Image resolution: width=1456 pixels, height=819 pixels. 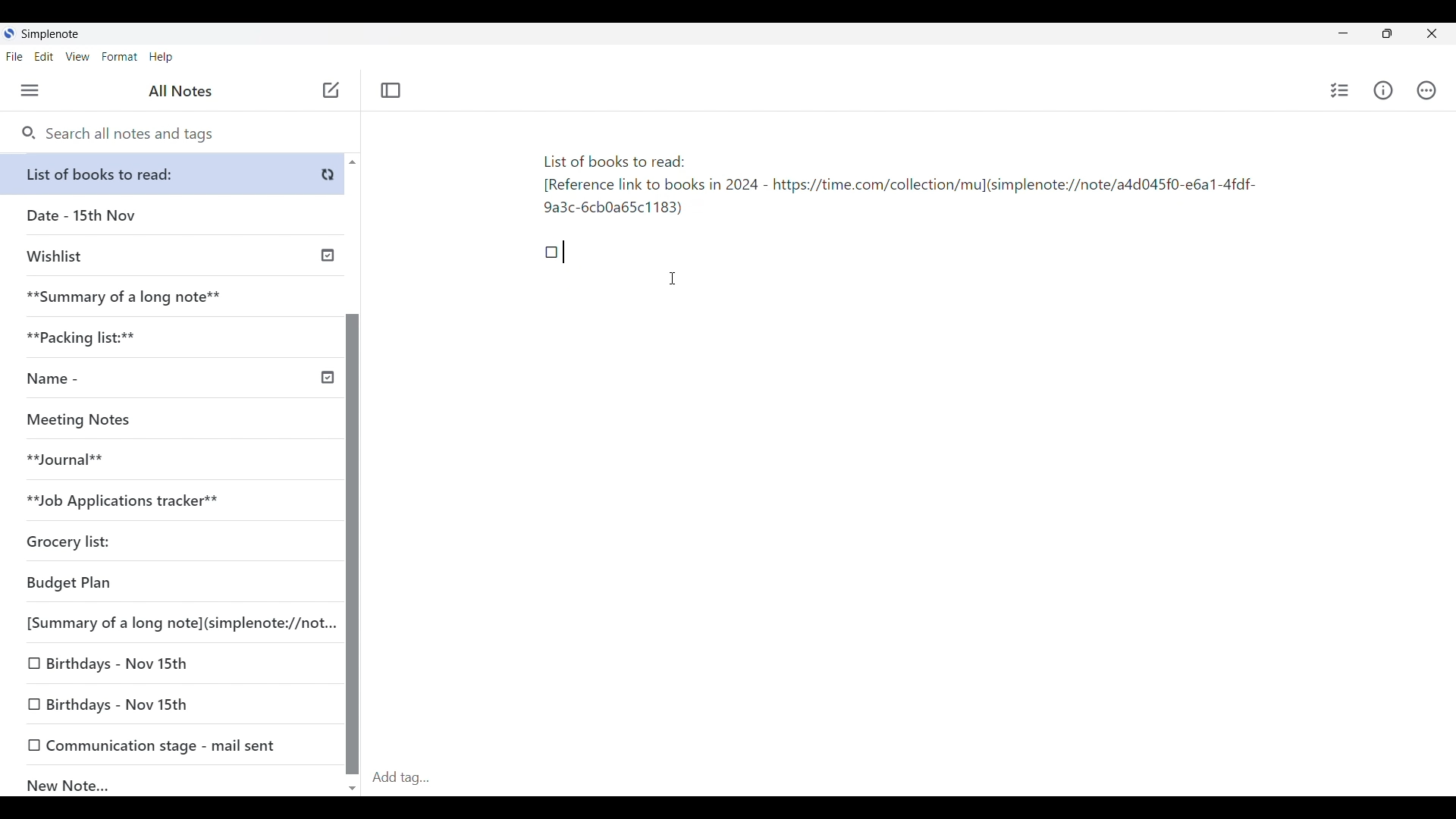 I want to click on Meeting Notes, so click(x=167, y=420).